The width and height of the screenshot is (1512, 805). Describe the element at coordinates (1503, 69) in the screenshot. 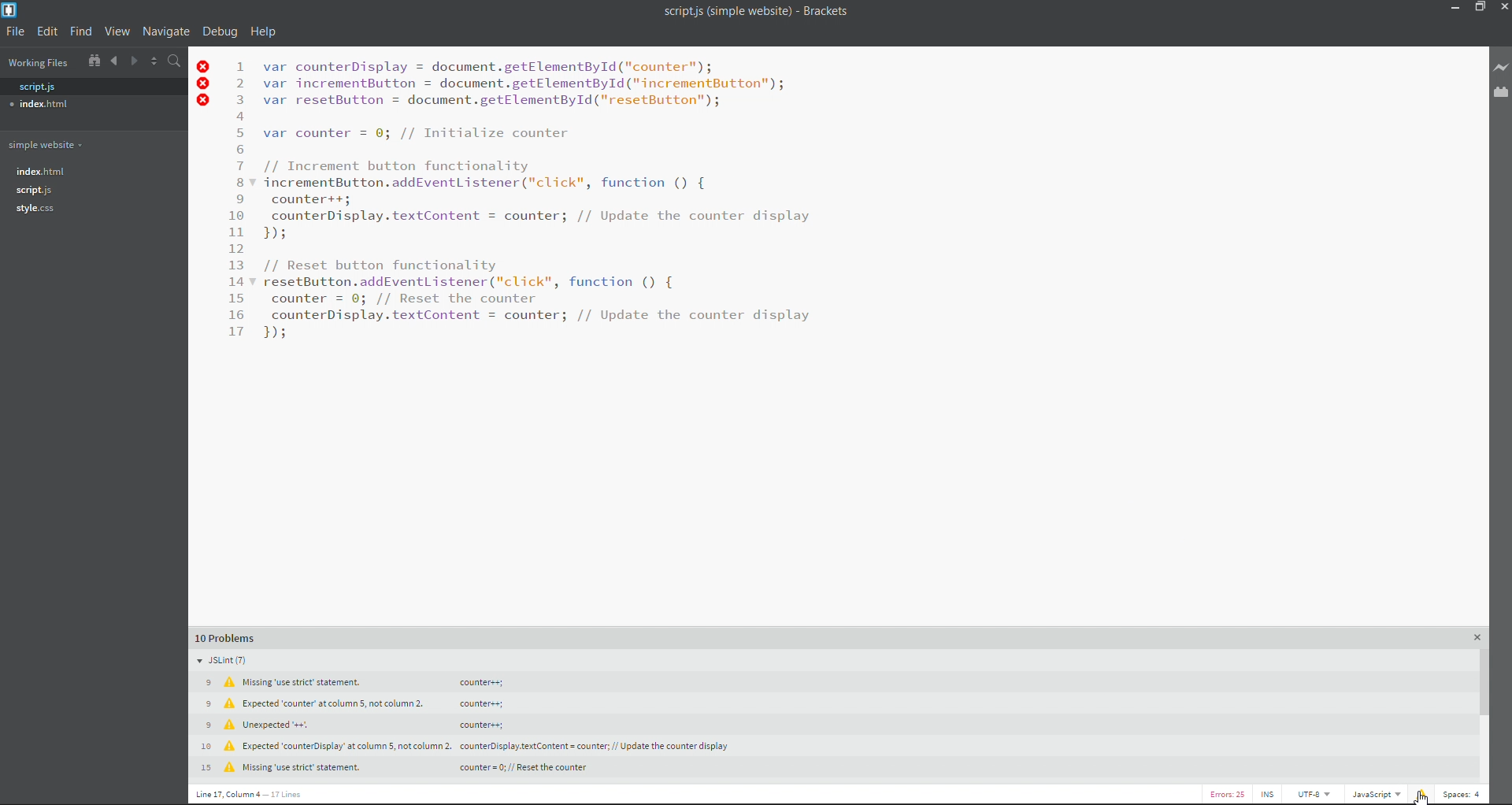

I see `live preview toggle` at that location.